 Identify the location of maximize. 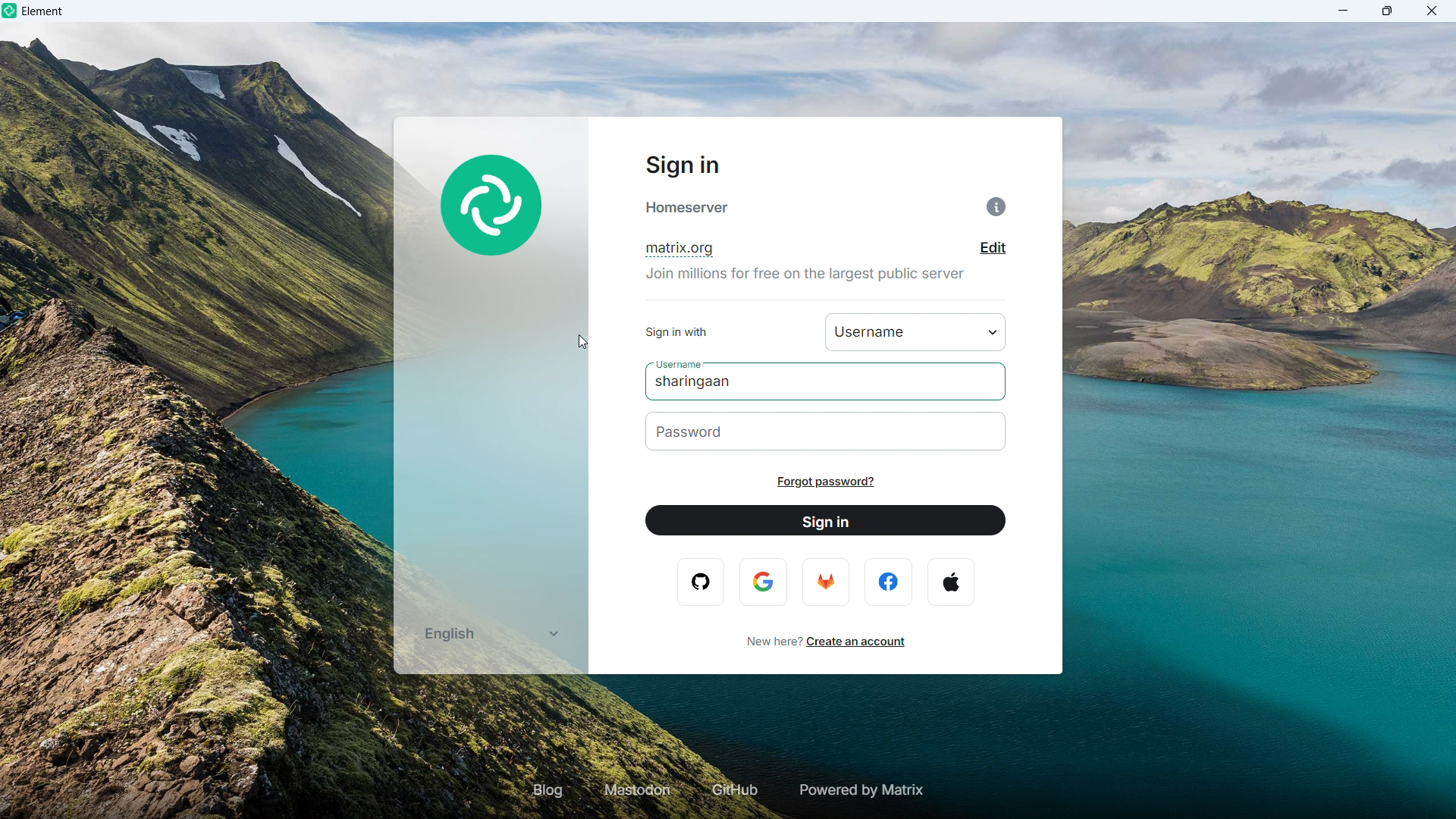
(1388, 11).